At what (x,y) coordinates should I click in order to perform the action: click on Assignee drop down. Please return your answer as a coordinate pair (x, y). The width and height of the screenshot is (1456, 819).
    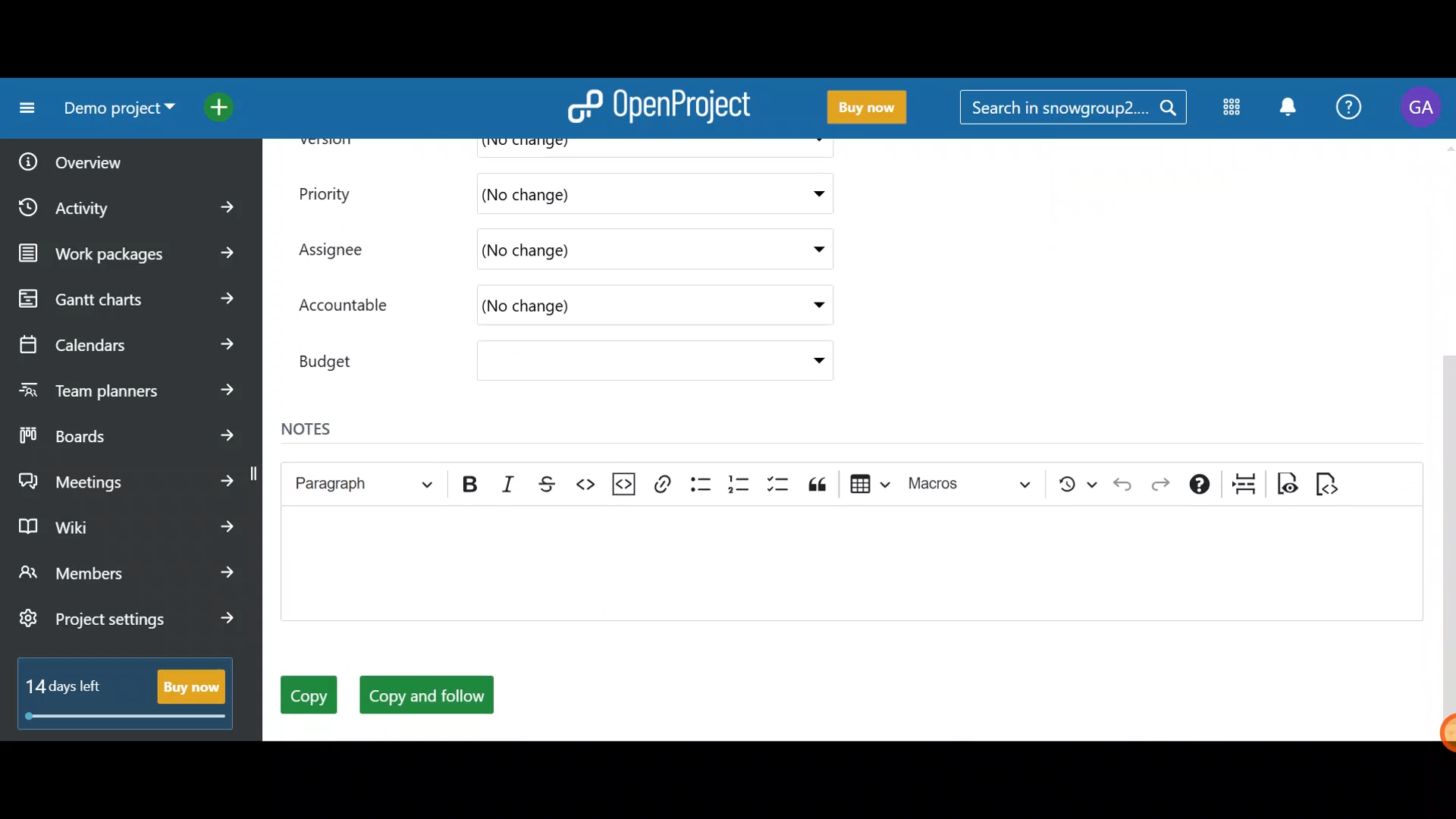
    Looking at the image, I should click on (820, 249).